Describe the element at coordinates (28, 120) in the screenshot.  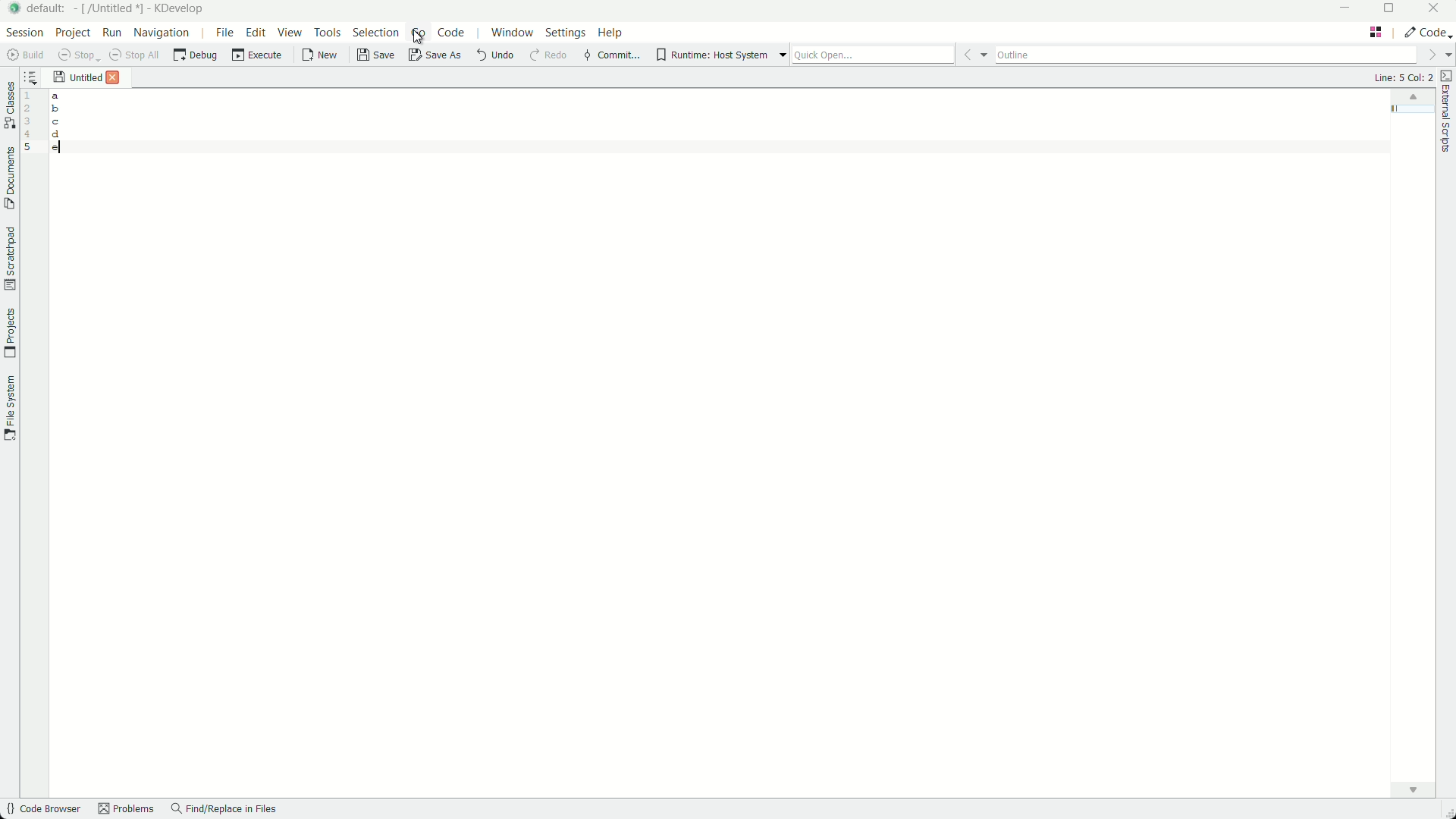
I see `line numbers` at that location.